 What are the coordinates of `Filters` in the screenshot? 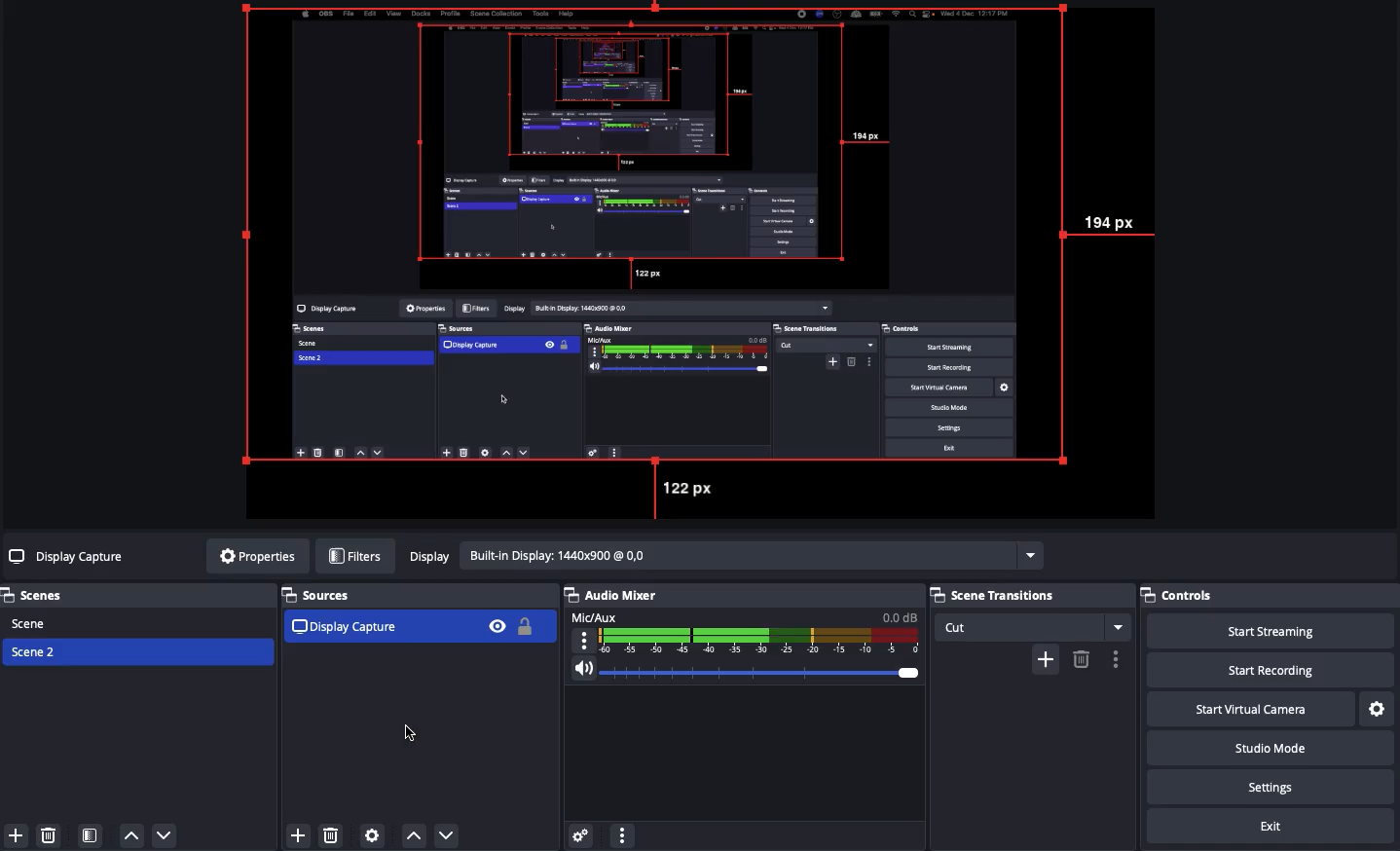 It's located at (354, 554).